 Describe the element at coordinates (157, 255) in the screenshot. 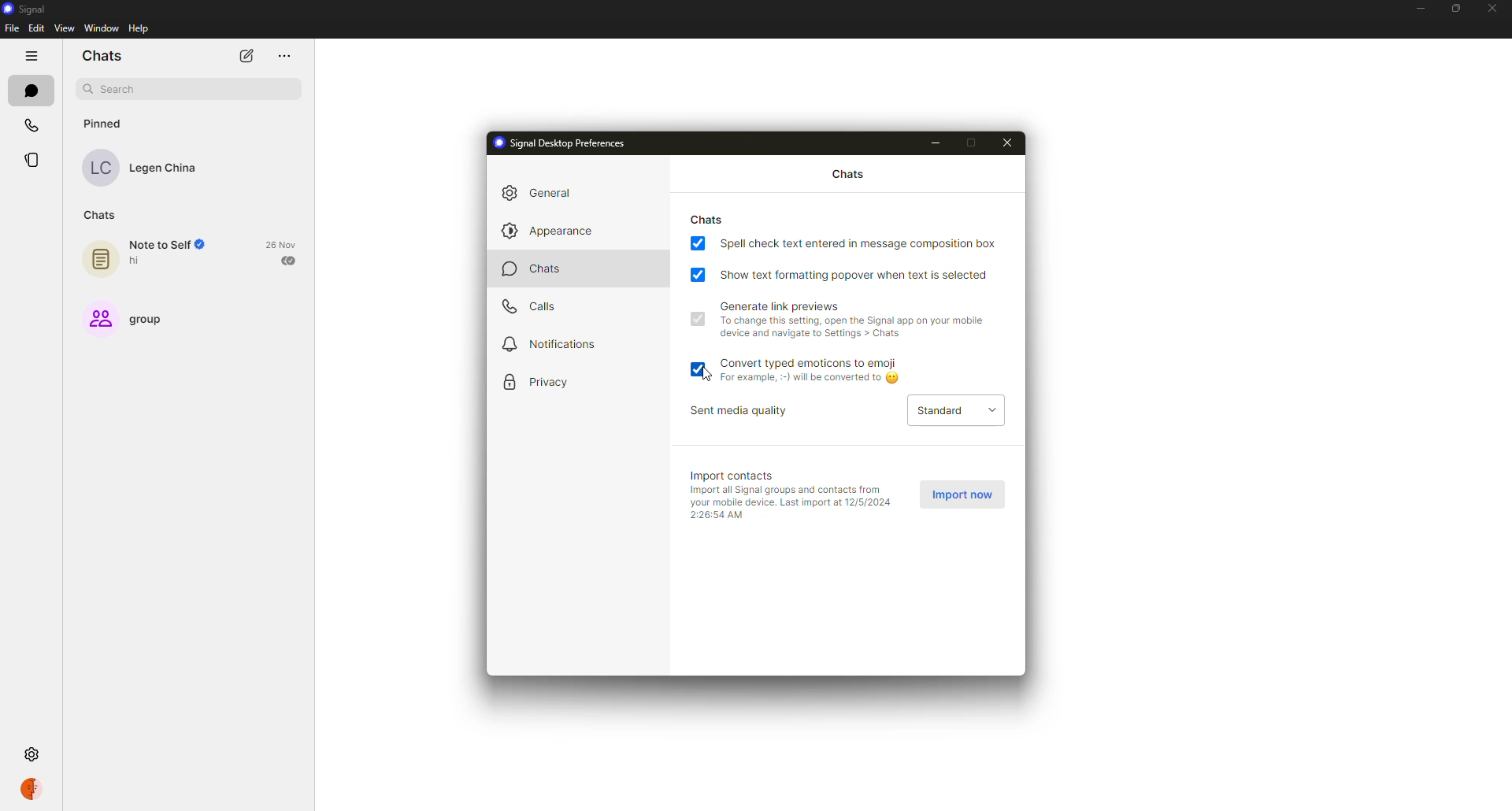

I see `note to self` at that location.